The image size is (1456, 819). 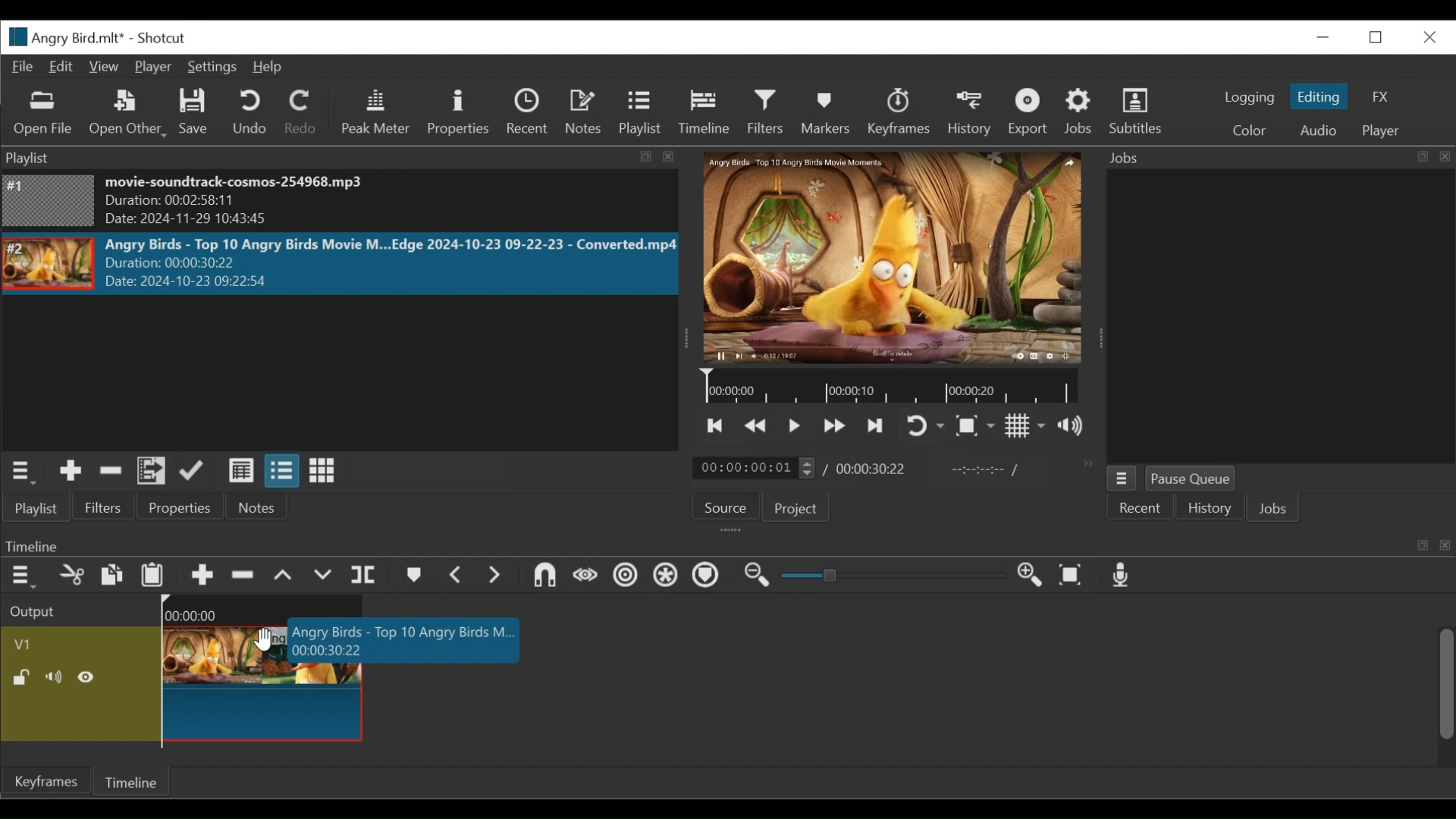 I want to click on Filters, so click(x=767, y=114).